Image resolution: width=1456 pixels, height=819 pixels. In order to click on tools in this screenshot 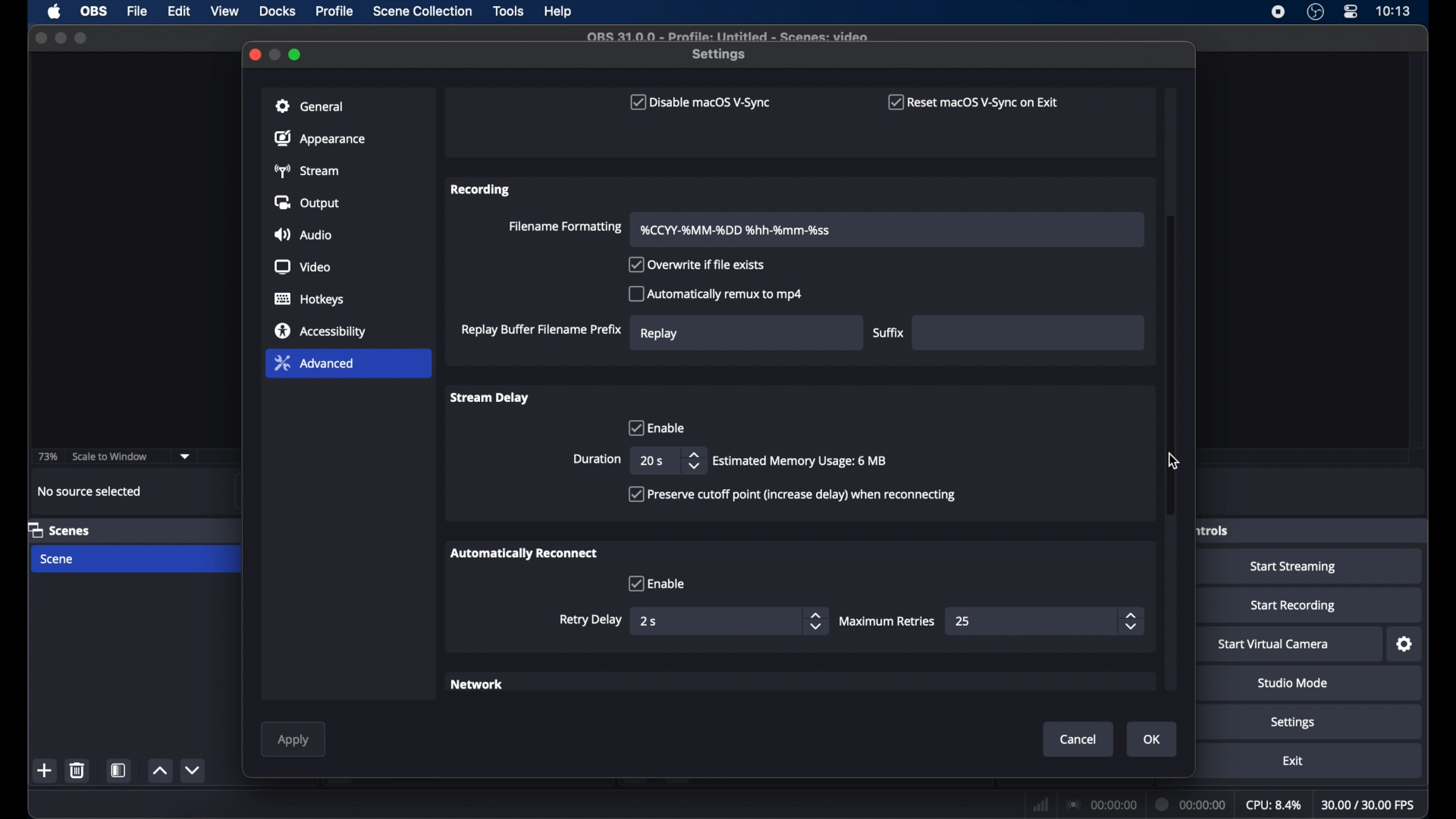, I will do `click(509, 11)`.